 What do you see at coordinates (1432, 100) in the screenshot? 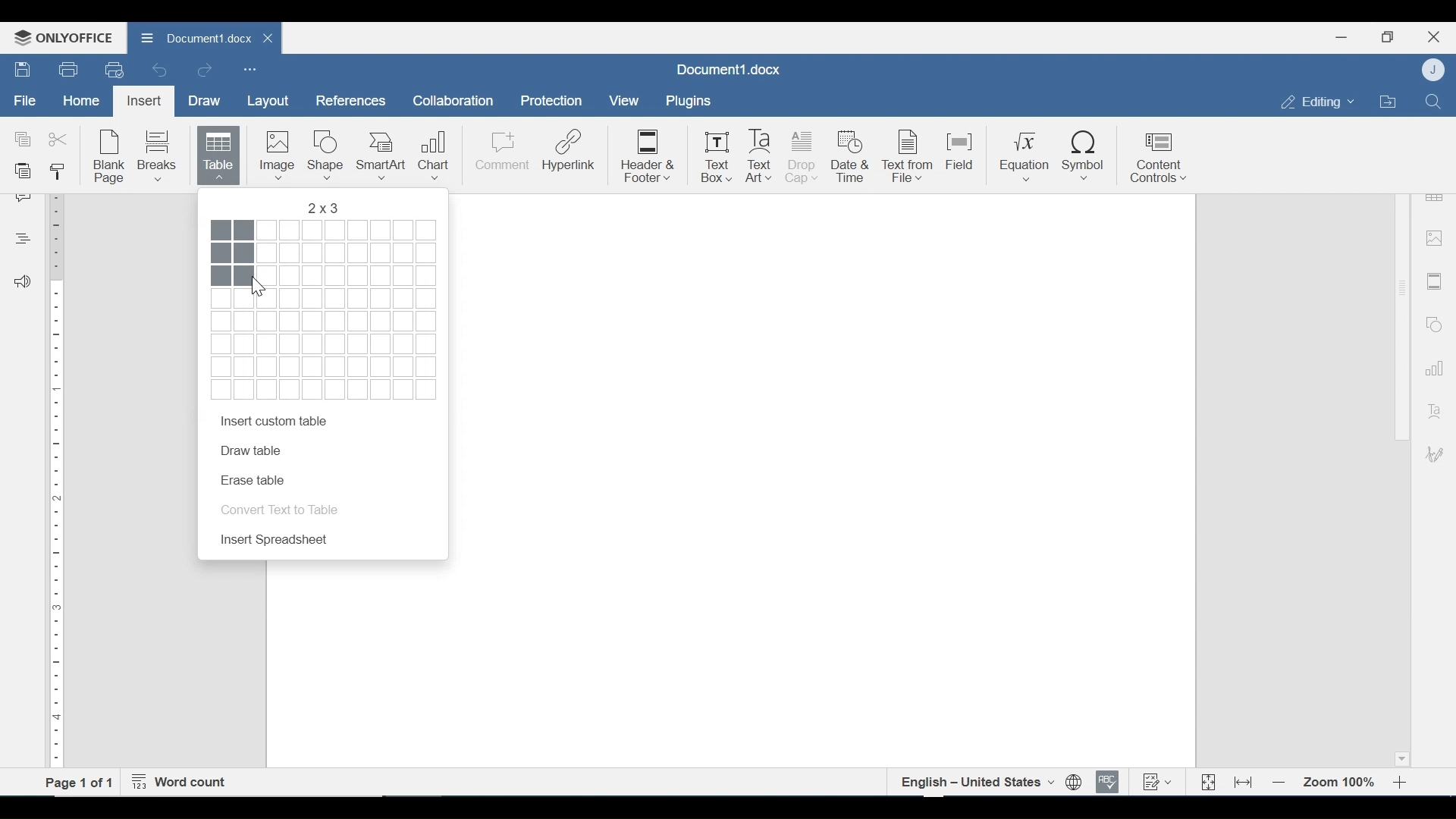
I see `Find` at bounding box center [1432, 100].